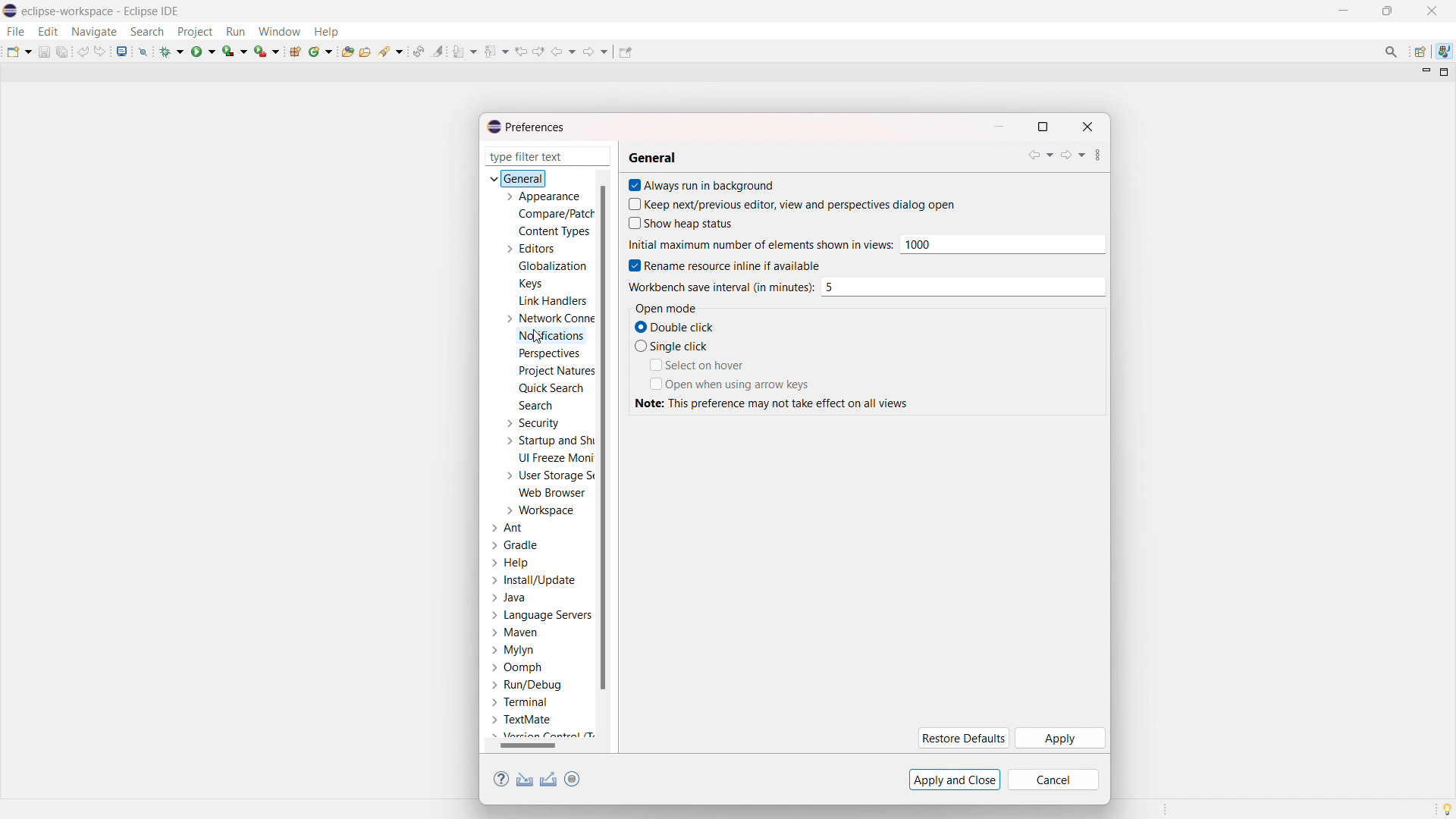 The width and height of the screenshot is (1456, 819). What do you see at coordinates (529, 249) in the screenshot?
I see `editors` at bounding box center [529, 249].